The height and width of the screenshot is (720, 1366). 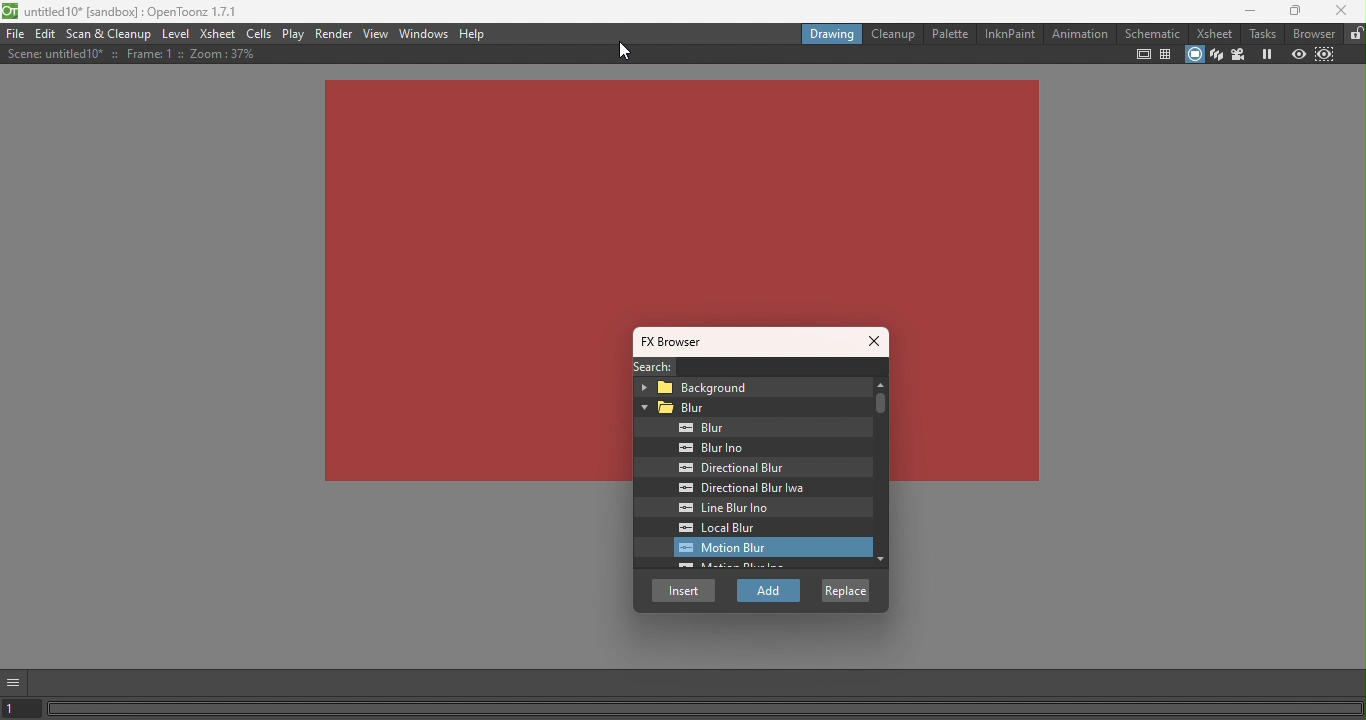 I want to click on Safe area, so click(x=1143, y=54).